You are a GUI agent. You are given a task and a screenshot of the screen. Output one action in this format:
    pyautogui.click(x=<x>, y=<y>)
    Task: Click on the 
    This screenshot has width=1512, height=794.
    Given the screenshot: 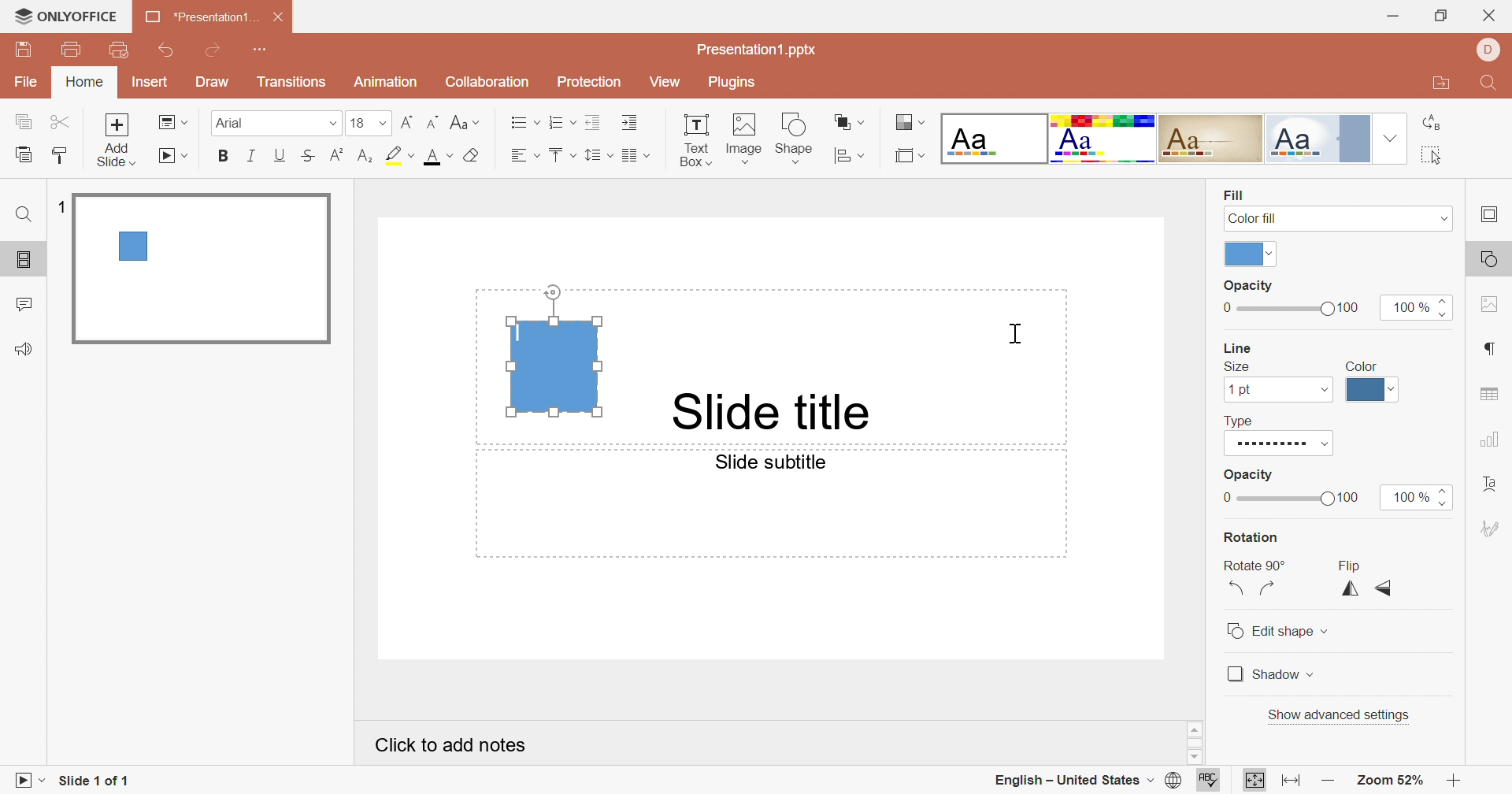 What is the action you would take?
    pyautogui.click(x=1224, y=308)
    